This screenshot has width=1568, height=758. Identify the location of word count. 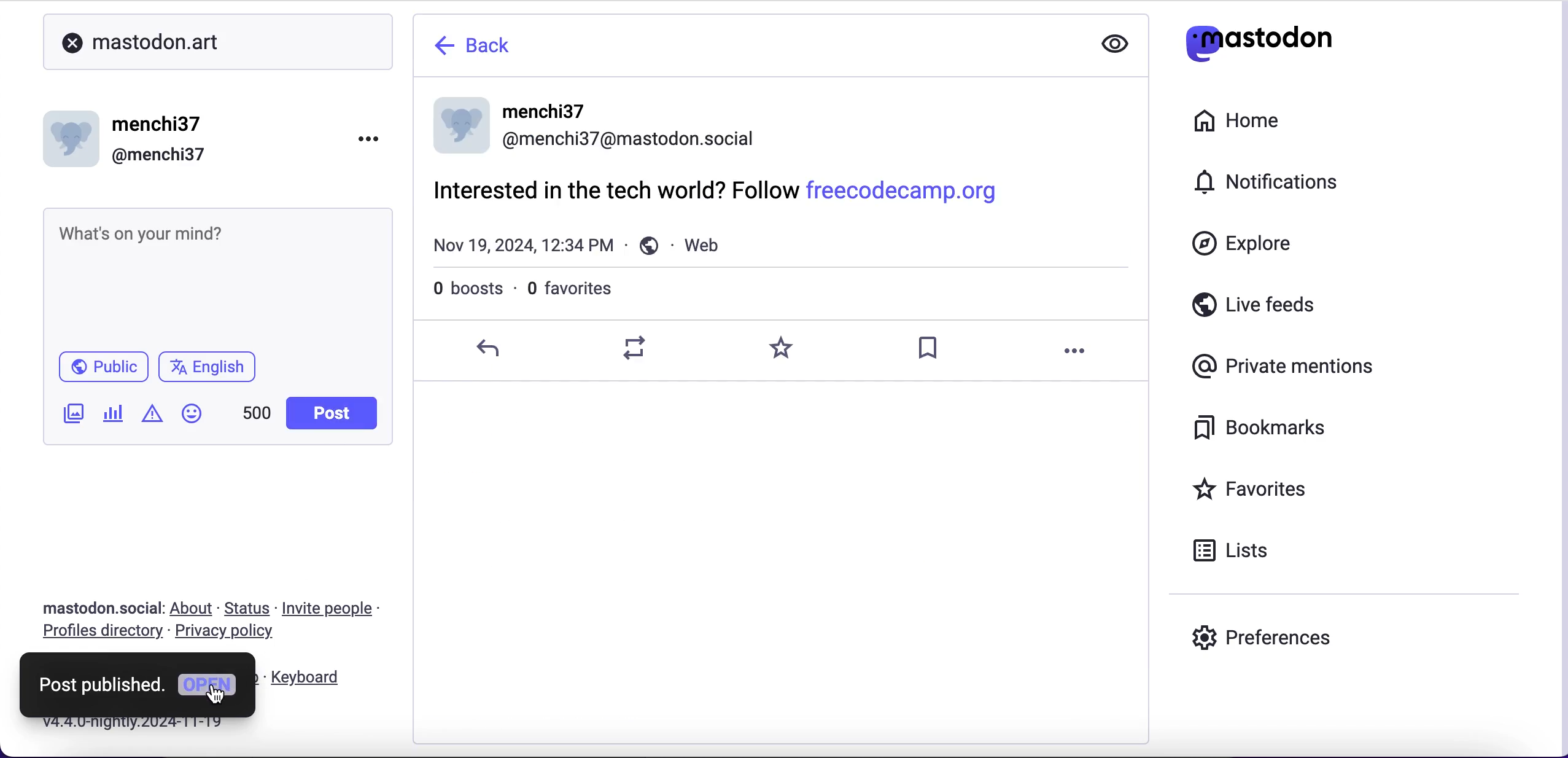
(256, 412).